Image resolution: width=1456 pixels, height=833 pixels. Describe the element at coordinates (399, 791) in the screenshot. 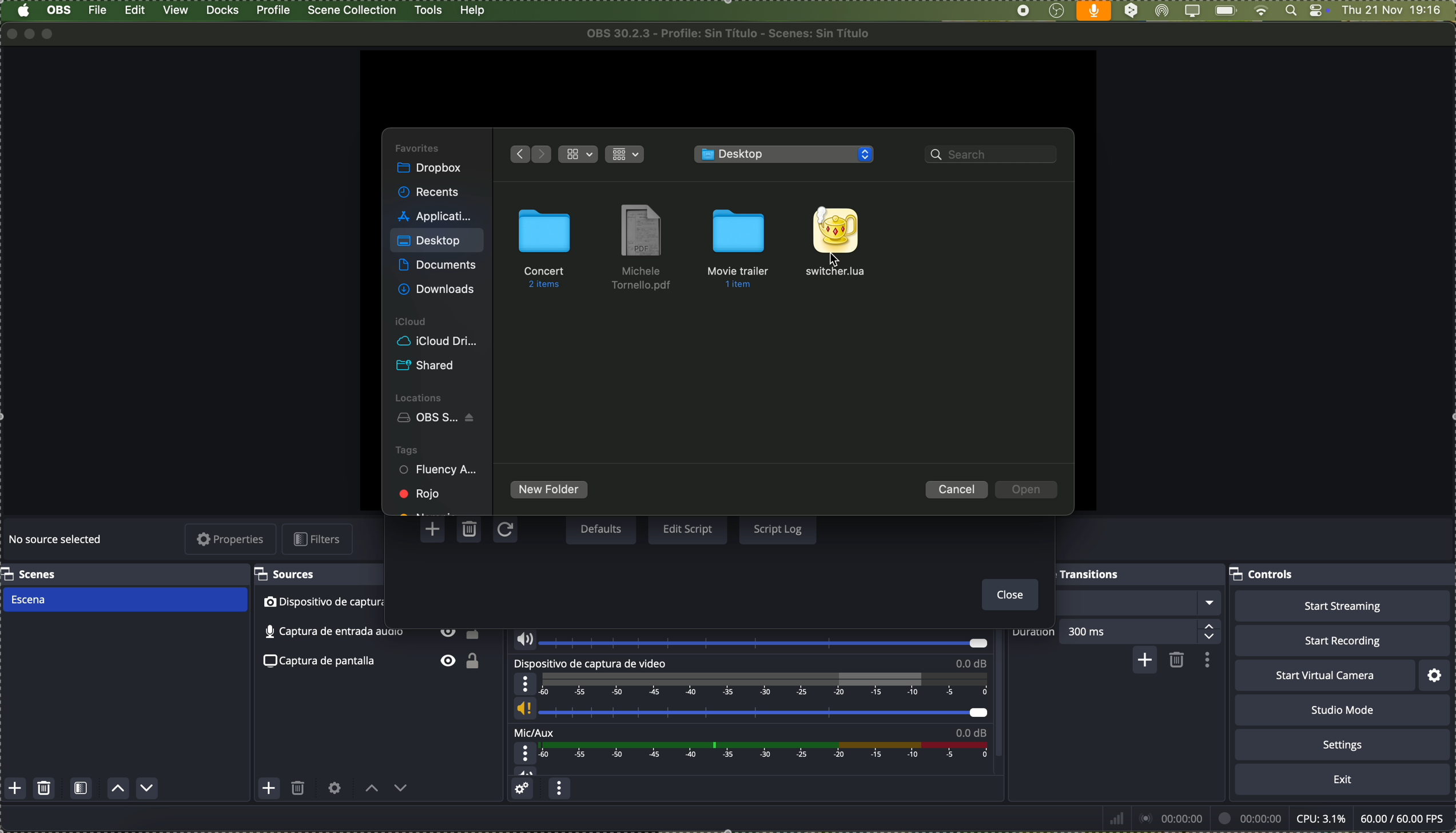

I see `move source down` at that location.